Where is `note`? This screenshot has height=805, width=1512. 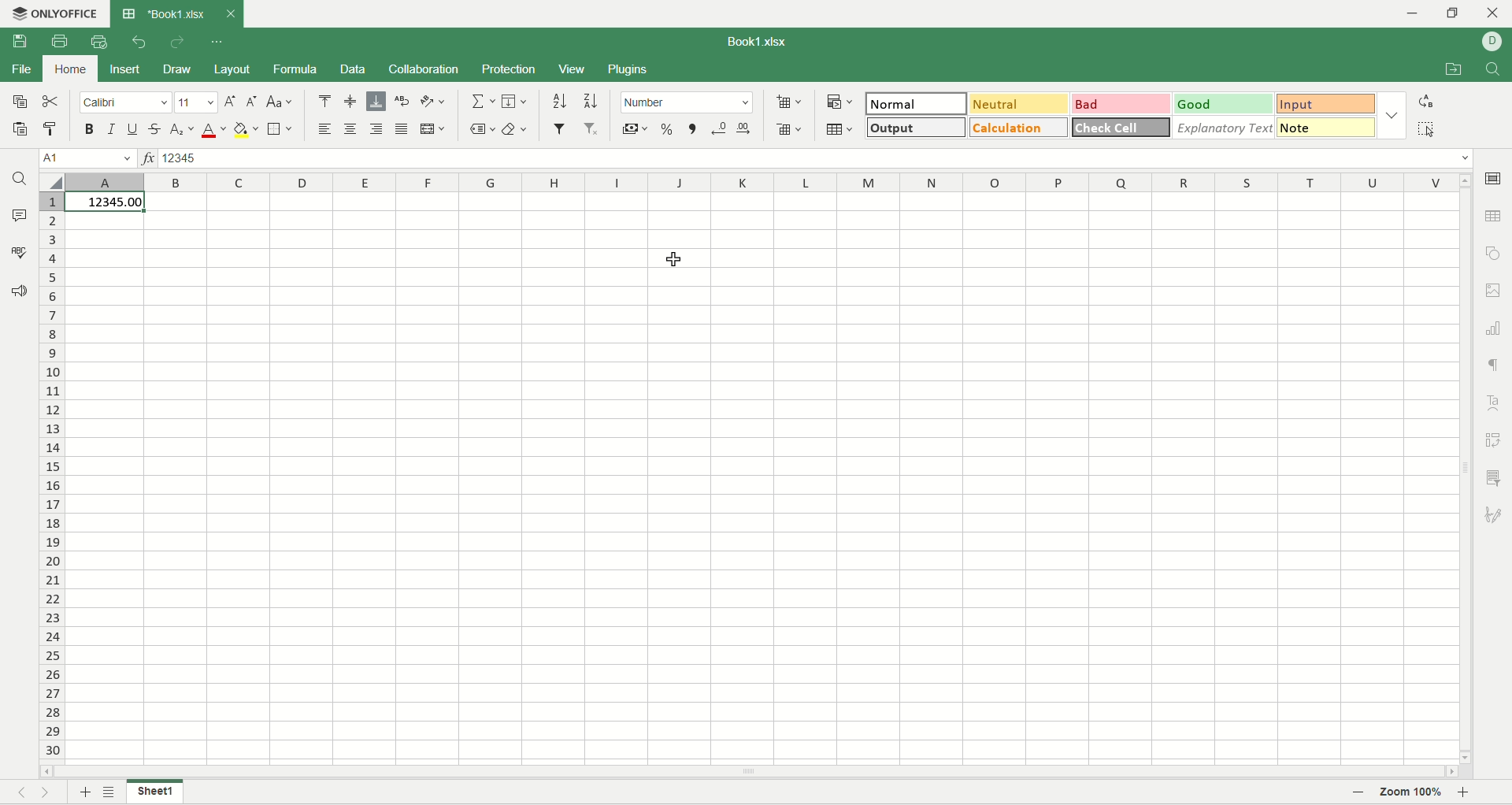
note is located at coordinates (1325, 127).